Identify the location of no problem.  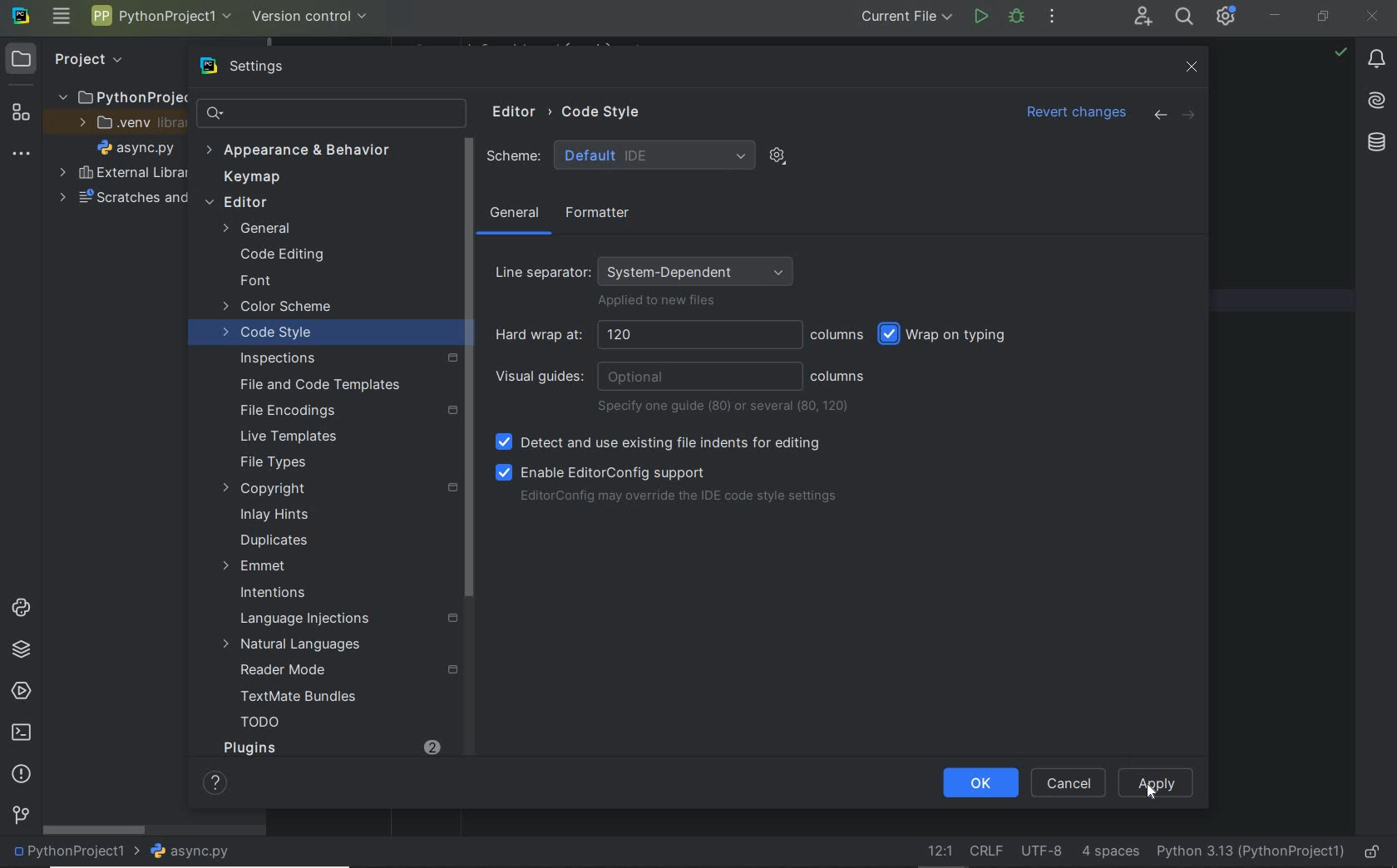
(1340, 52).